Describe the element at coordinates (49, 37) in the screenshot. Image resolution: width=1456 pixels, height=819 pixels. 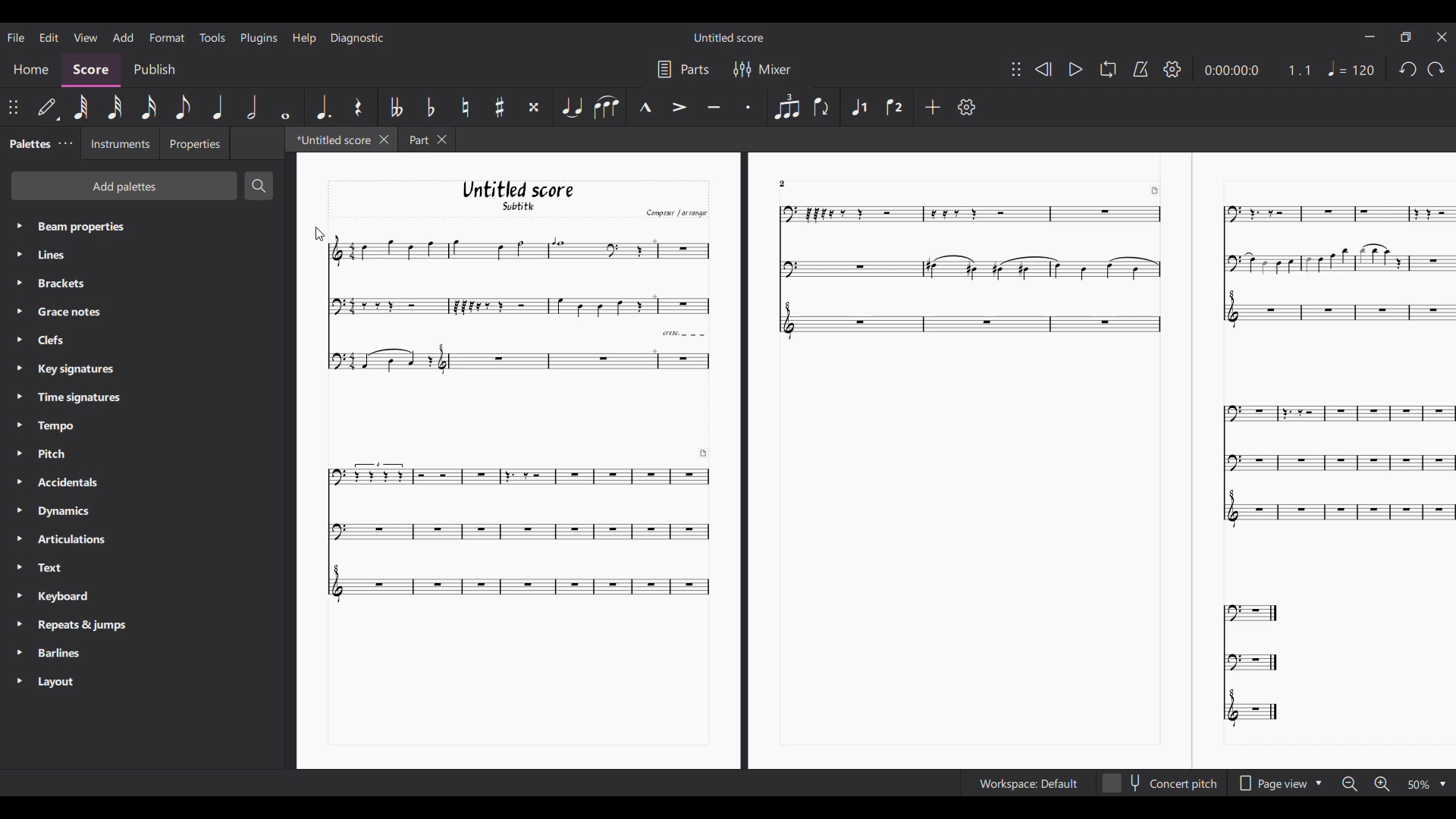
I see `Edit` at that location.